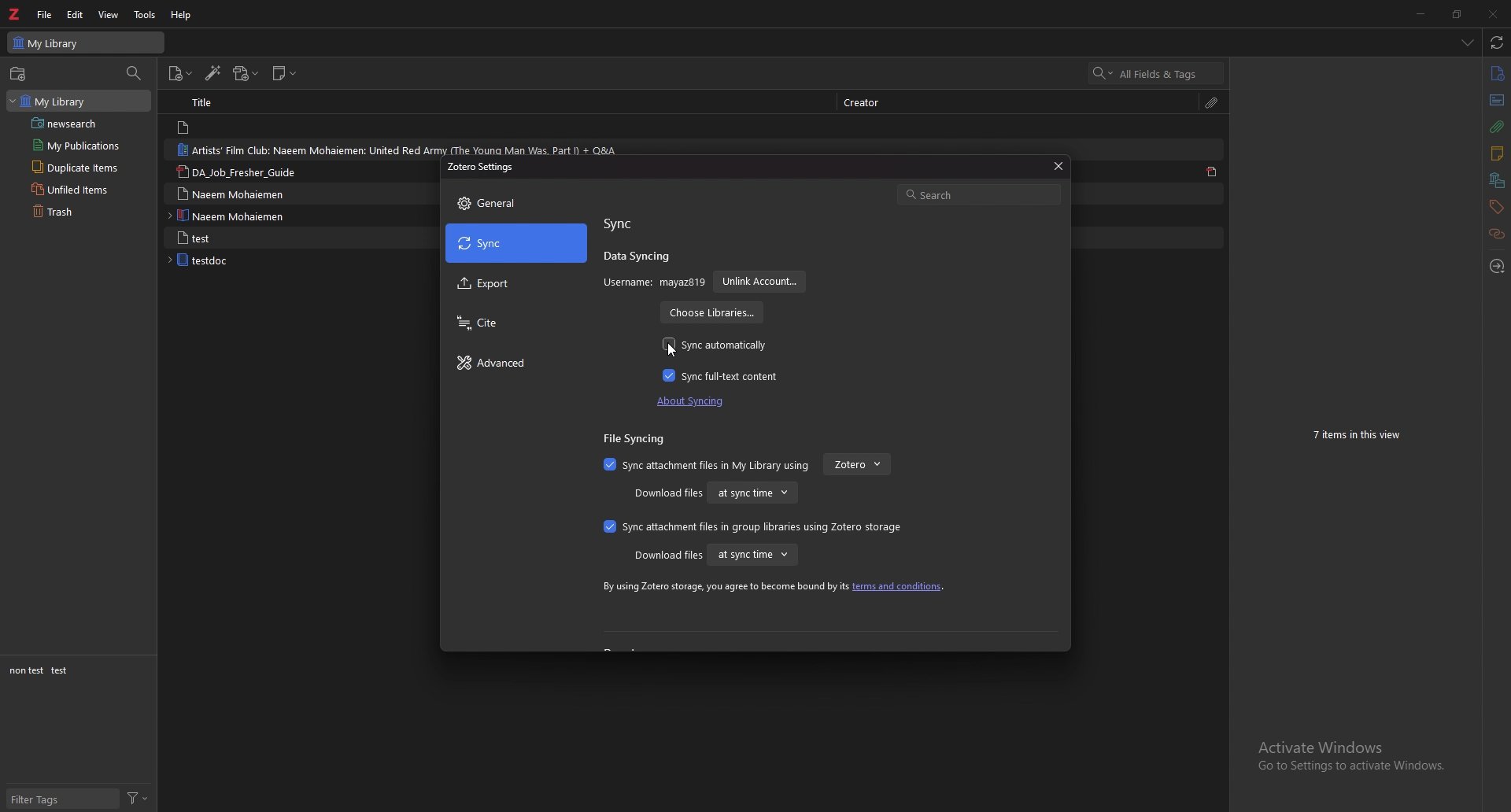 This screenshot has height=812, width=1511. Describe the element at coordinates (285, 72) in the screenshot. I see `new note` at that location.